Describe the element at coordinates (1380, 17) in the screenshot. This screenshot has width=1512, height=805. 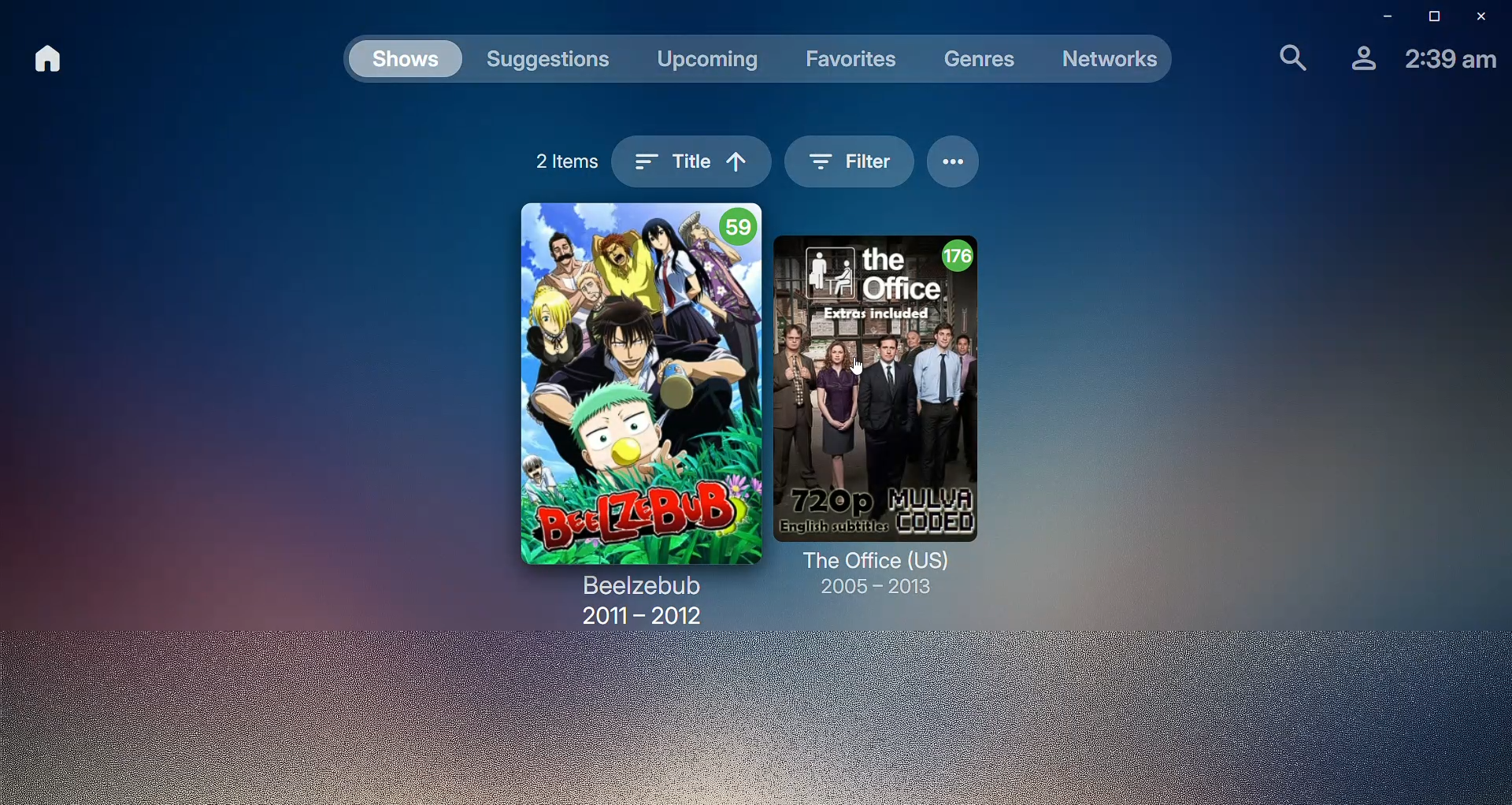
I see `Minimize` at that location.